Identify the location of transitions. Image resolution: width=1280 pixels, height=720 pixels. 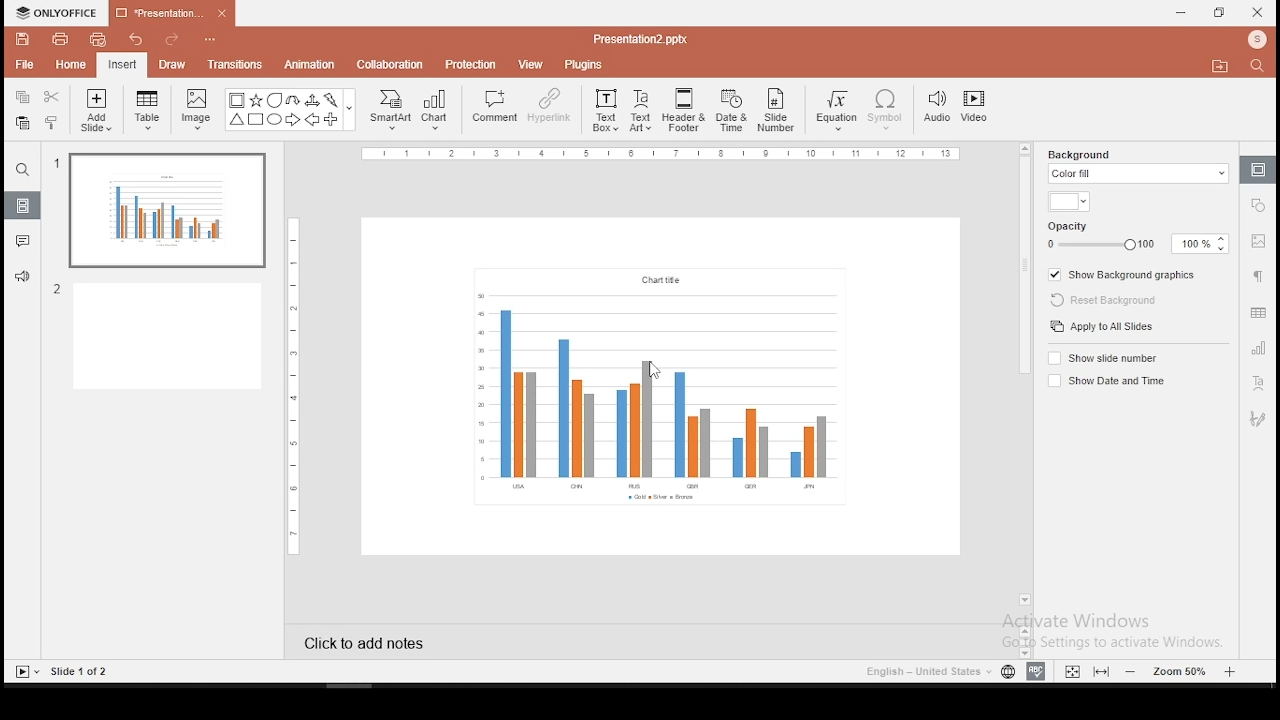
(235, 66).